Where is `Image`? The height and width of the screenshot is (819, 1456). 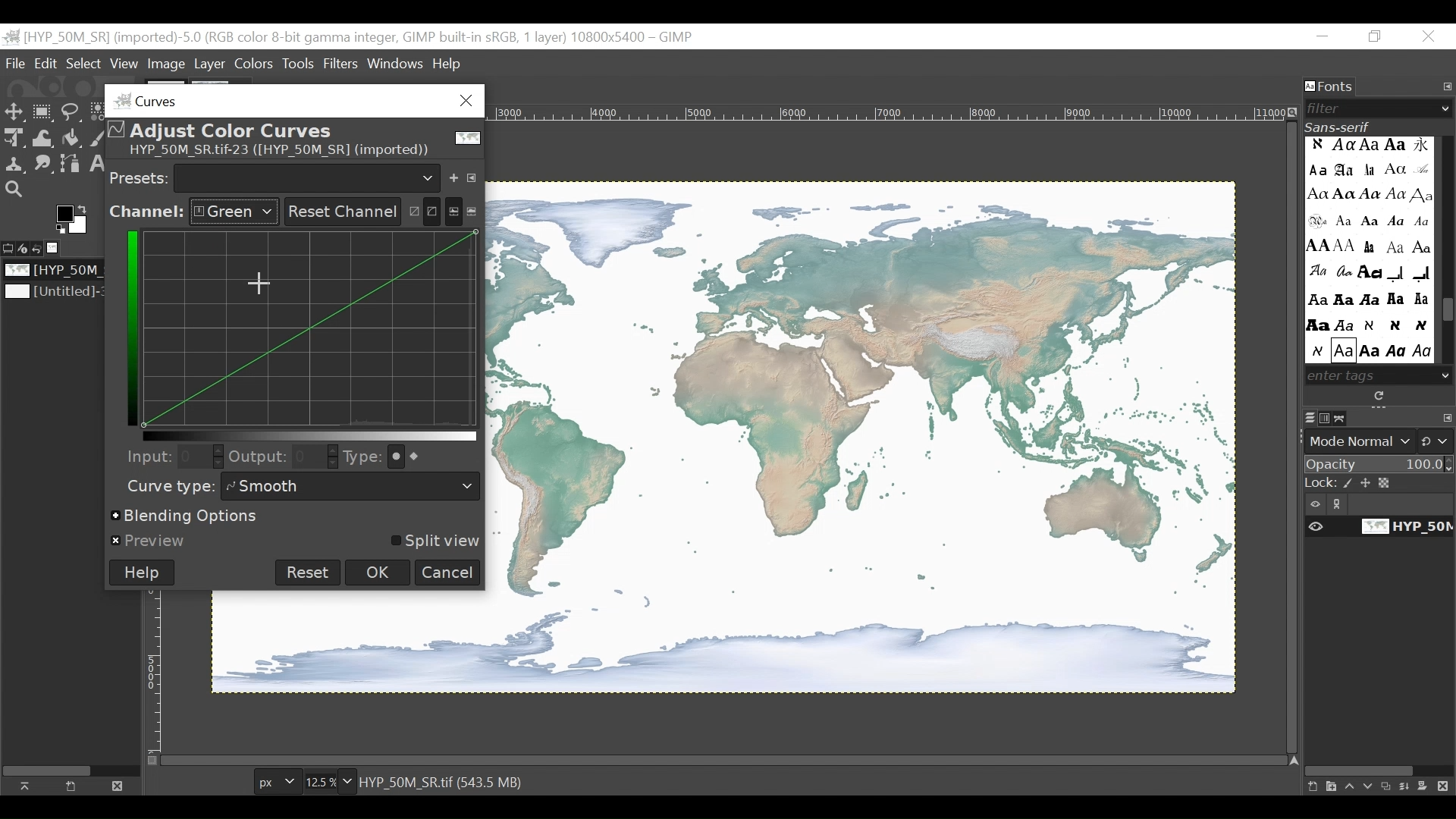
Image is located at coordinates (58, 248).